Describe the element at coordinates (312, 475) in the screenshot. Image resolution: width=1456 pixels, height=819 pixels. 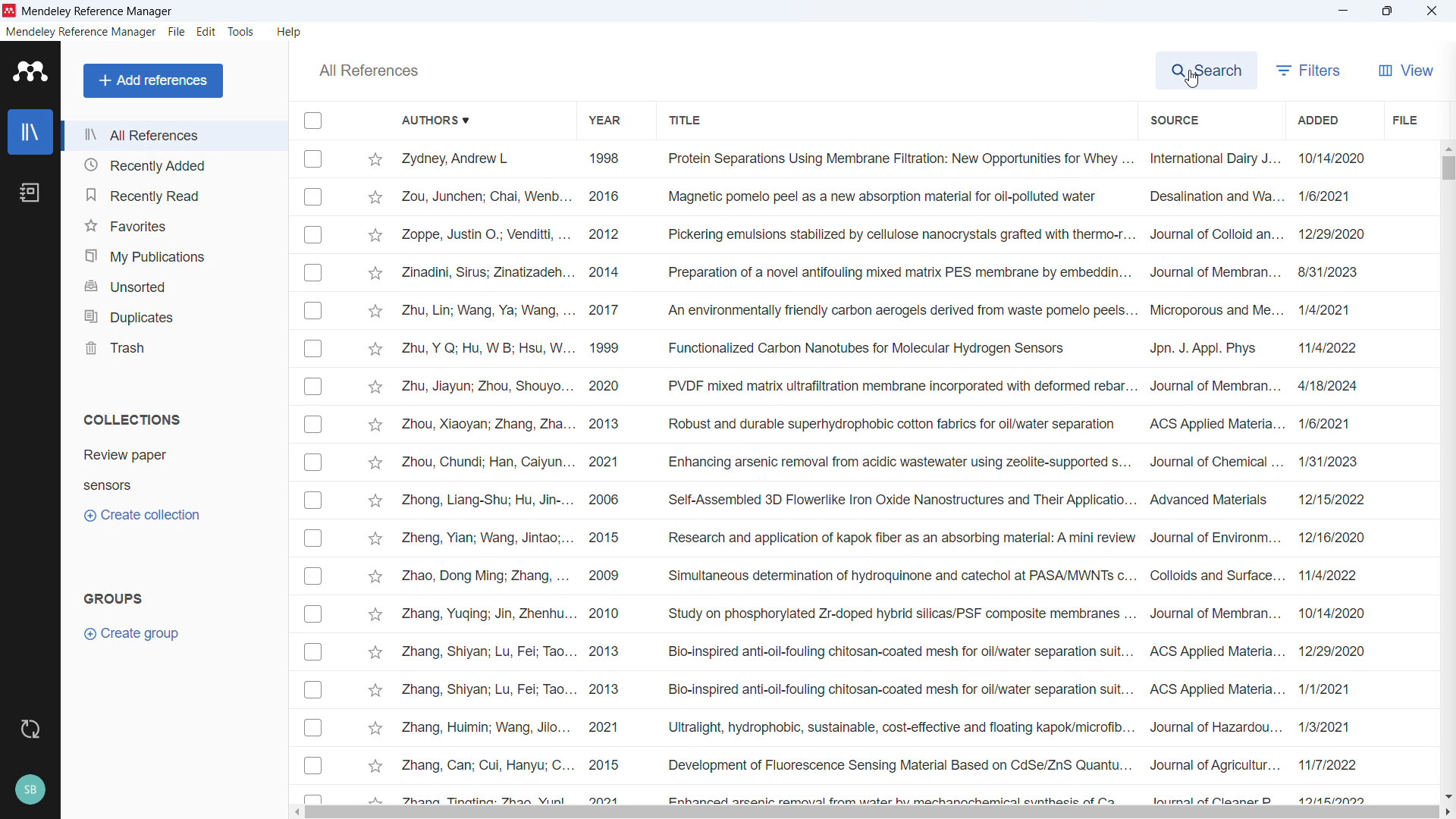
I see `Select individual entries ` at that location.